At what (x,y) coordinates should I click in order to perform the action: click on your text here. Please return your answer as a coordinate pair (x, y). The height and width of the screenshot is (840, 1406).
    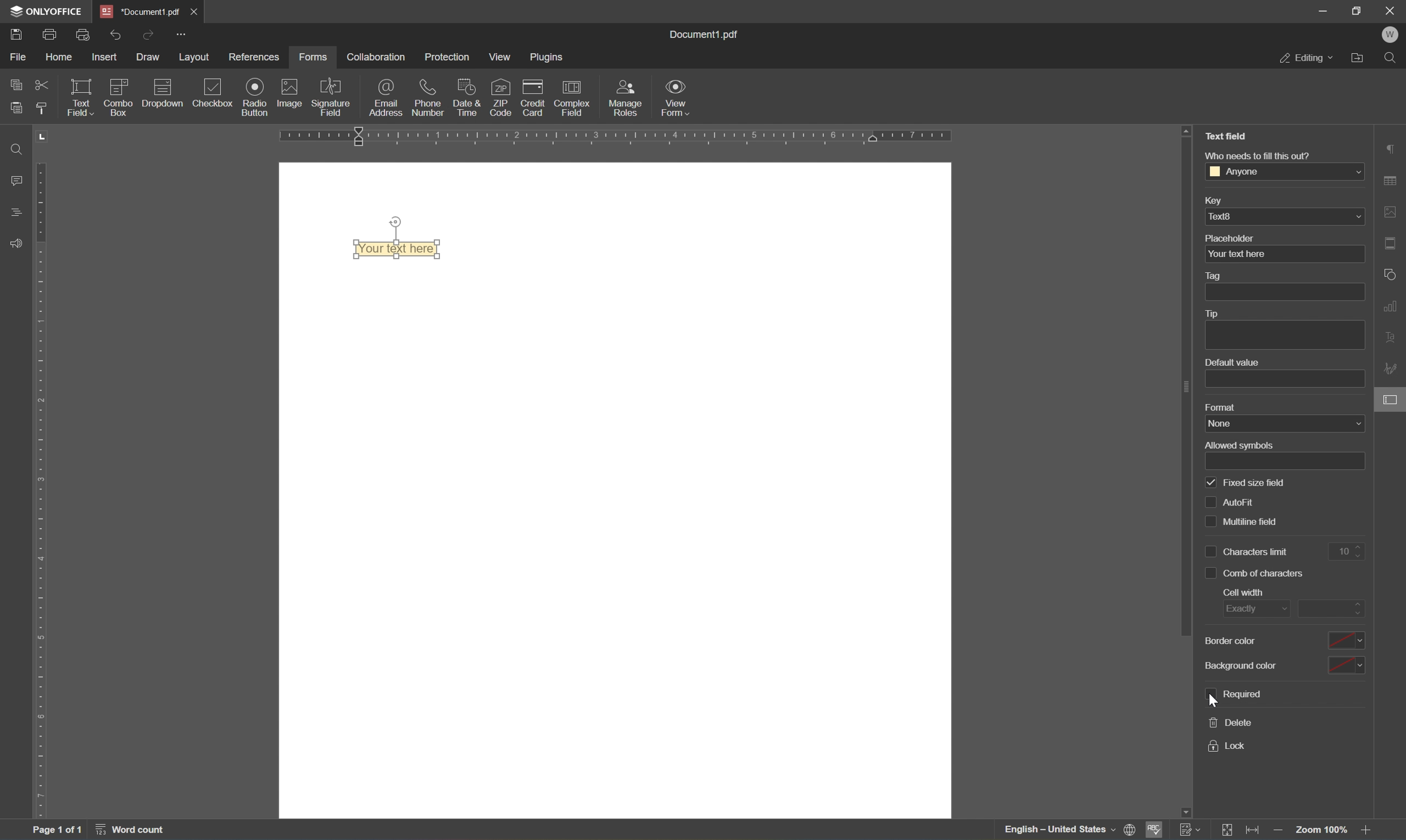
    Looking at the image, I should click on (398, 249).